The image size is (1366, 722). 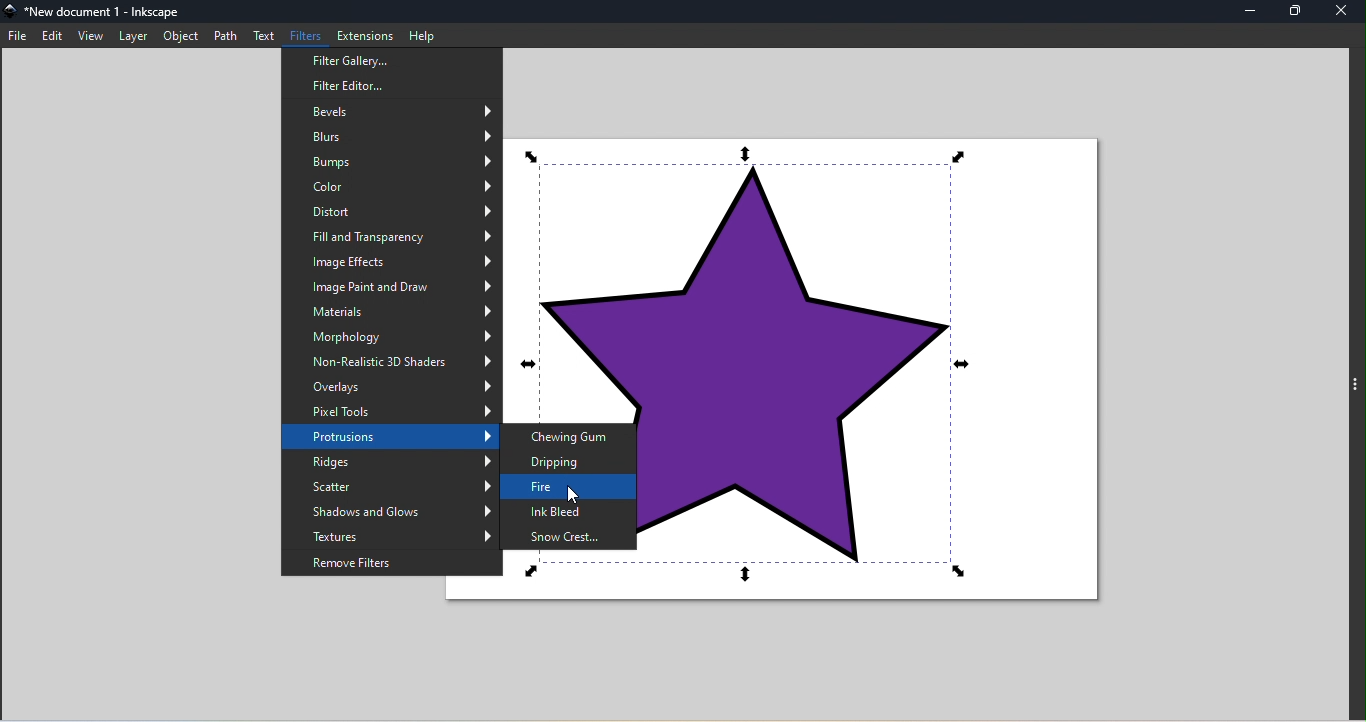 I want to click on Mterials, so click(x=389, y=311).